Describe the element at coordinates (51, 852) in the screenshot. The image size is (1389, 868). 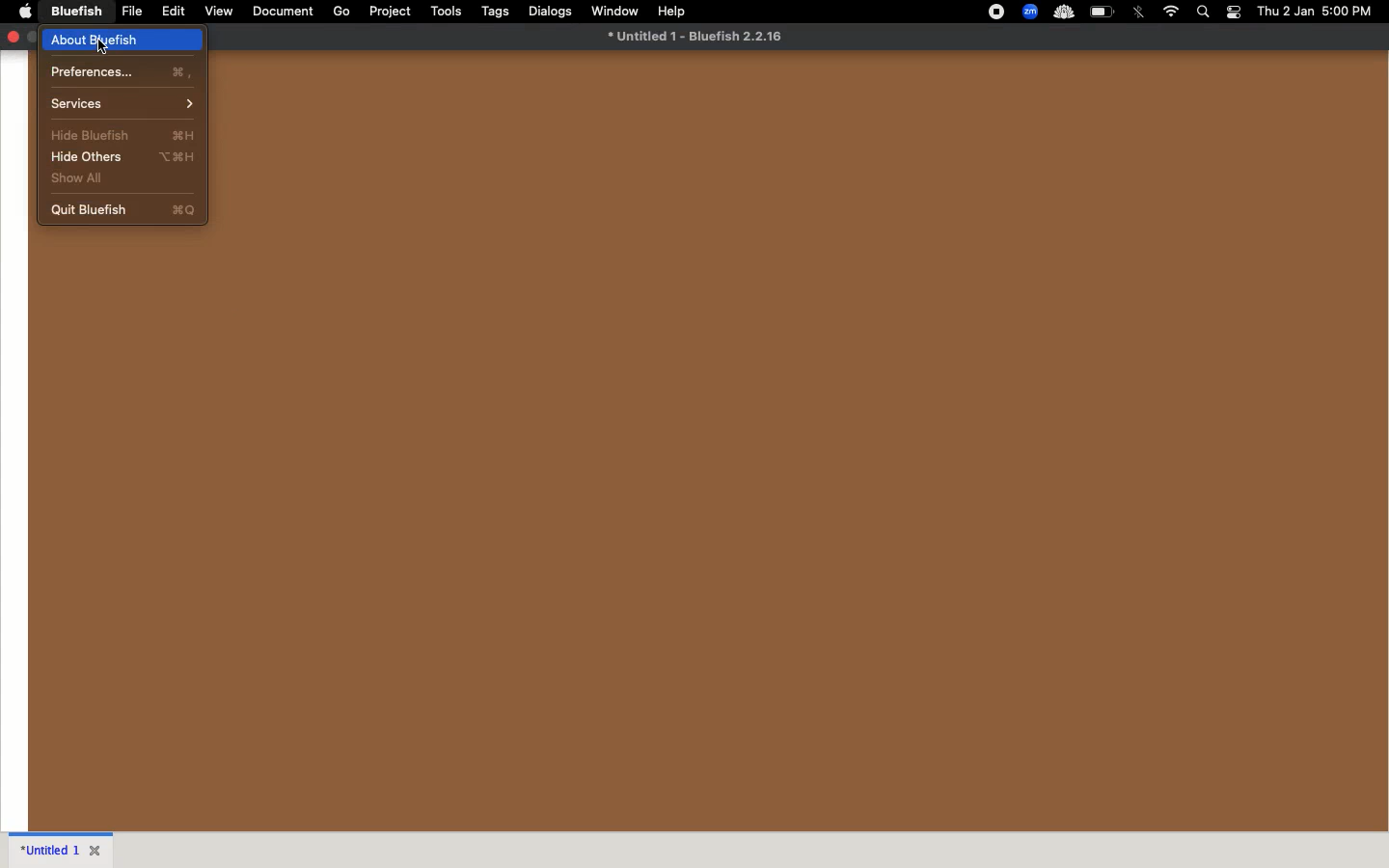
I see `untitled 1` at that location.